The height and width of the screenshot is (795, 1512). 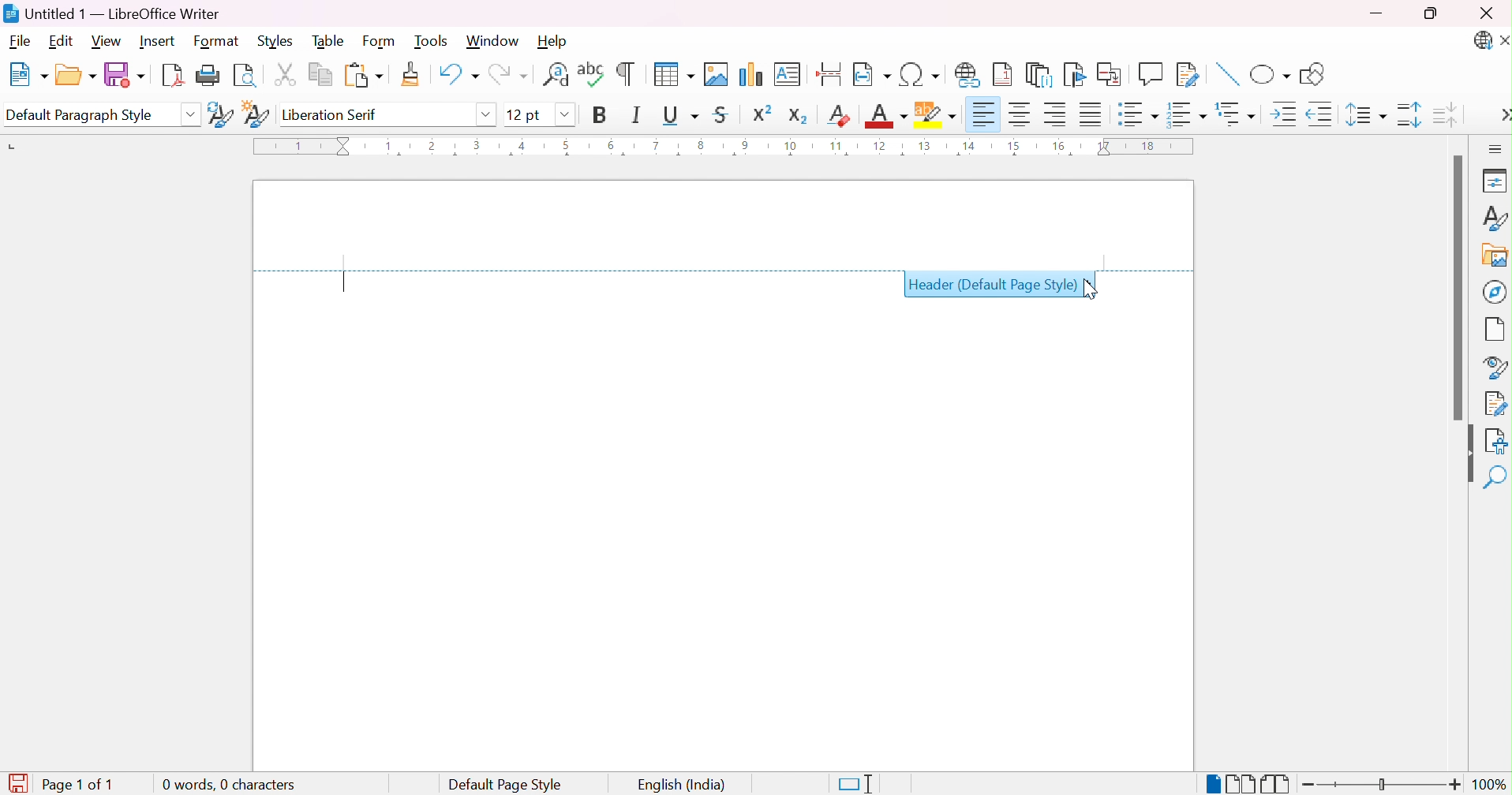 What do you see at coordinates (1111, 75) in the screenshot?
I see `Insert cross-reference` at bounding box center [1111, 75].